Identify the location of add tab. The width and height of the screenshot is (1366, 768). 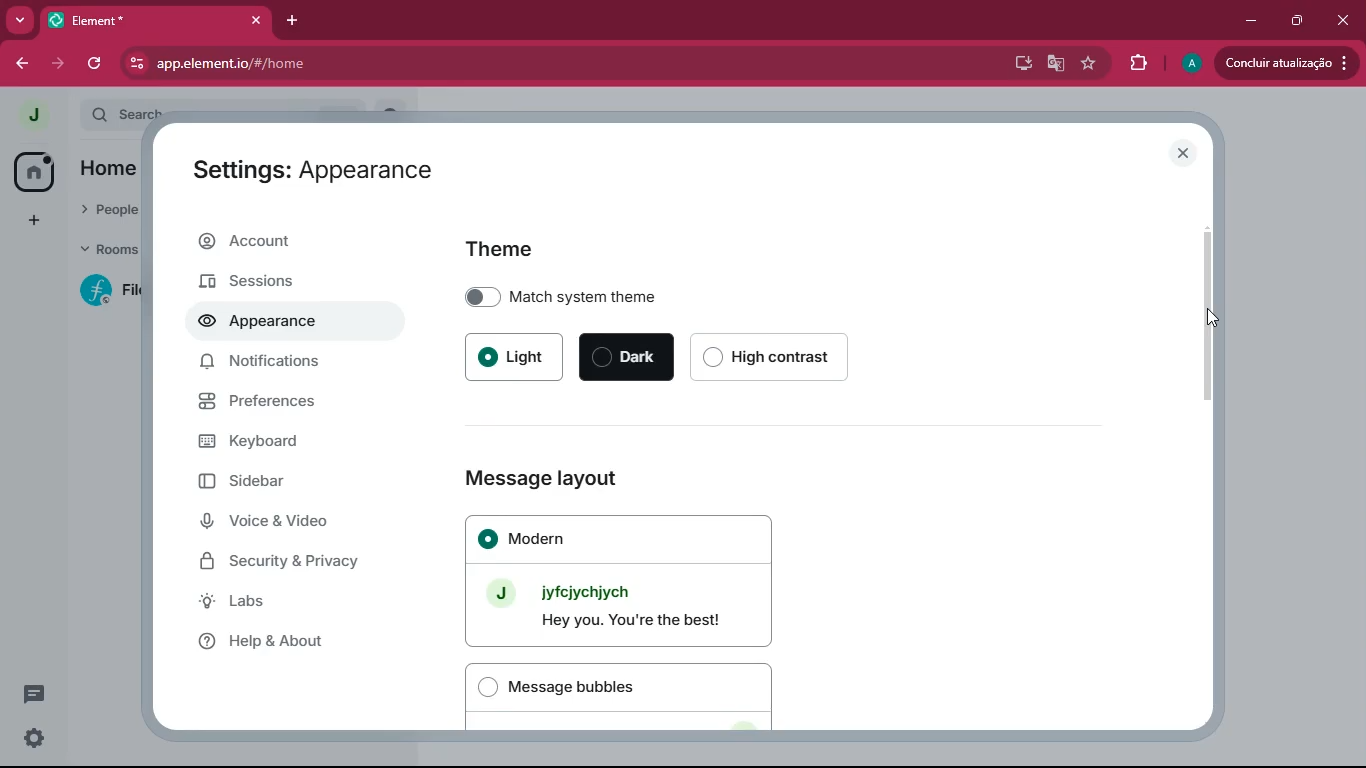
(295, 16).